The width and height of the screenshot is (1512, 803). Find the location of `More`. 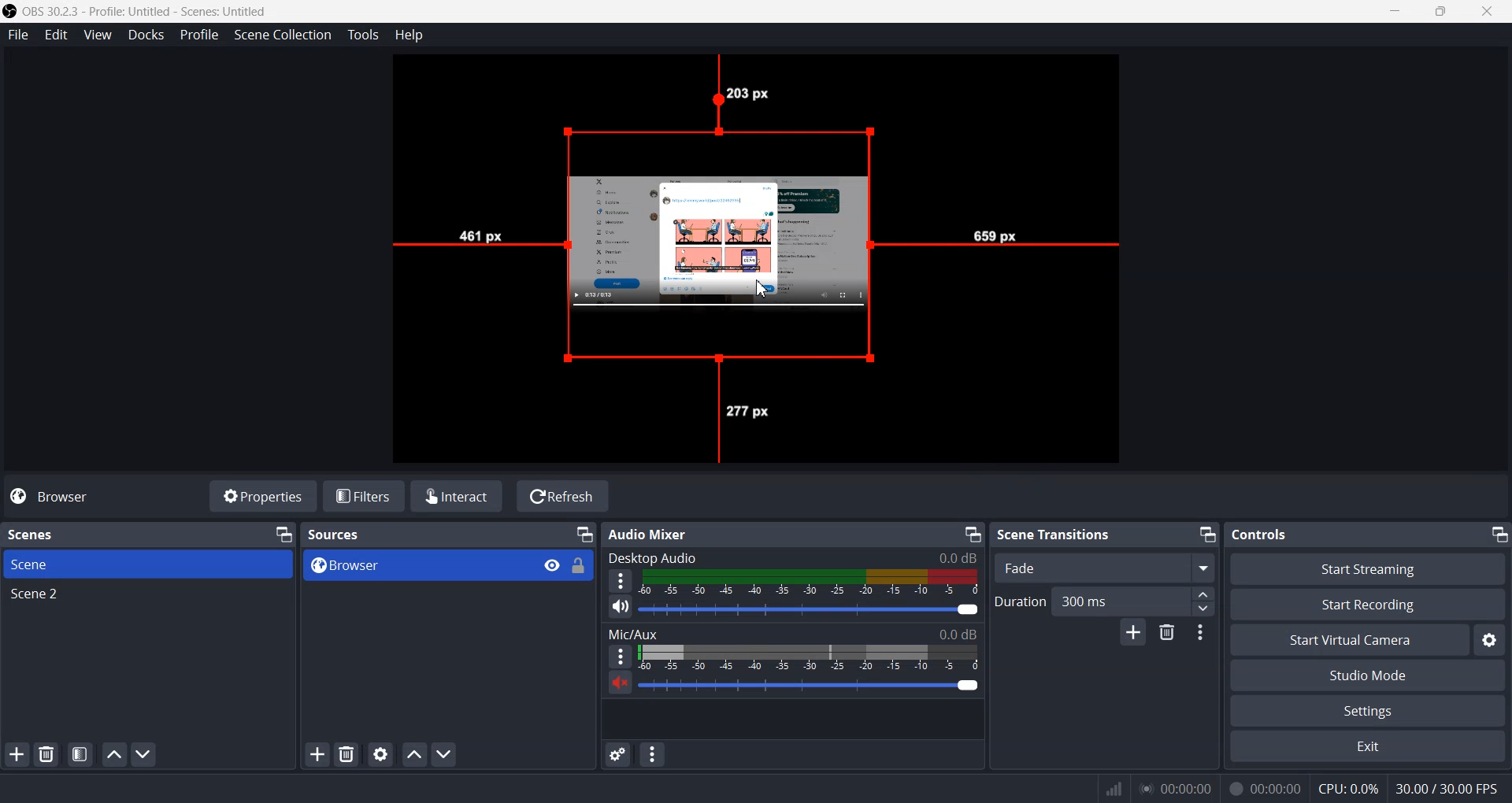

More is located at coordinates (621, 580).